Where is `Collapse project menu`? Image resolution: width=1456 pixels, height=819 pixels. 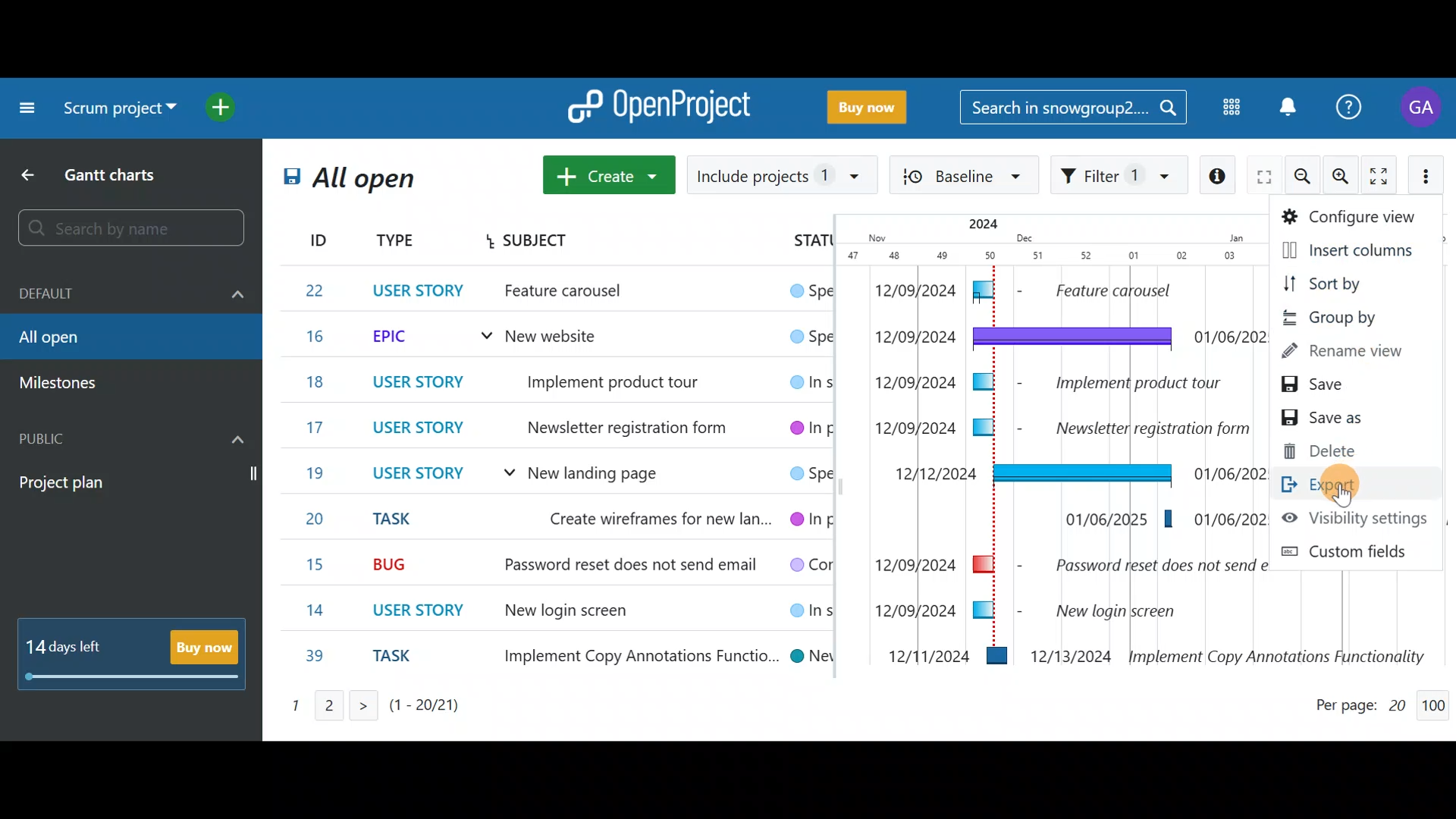 Collapse project menu is located at coordinates (27, 111).